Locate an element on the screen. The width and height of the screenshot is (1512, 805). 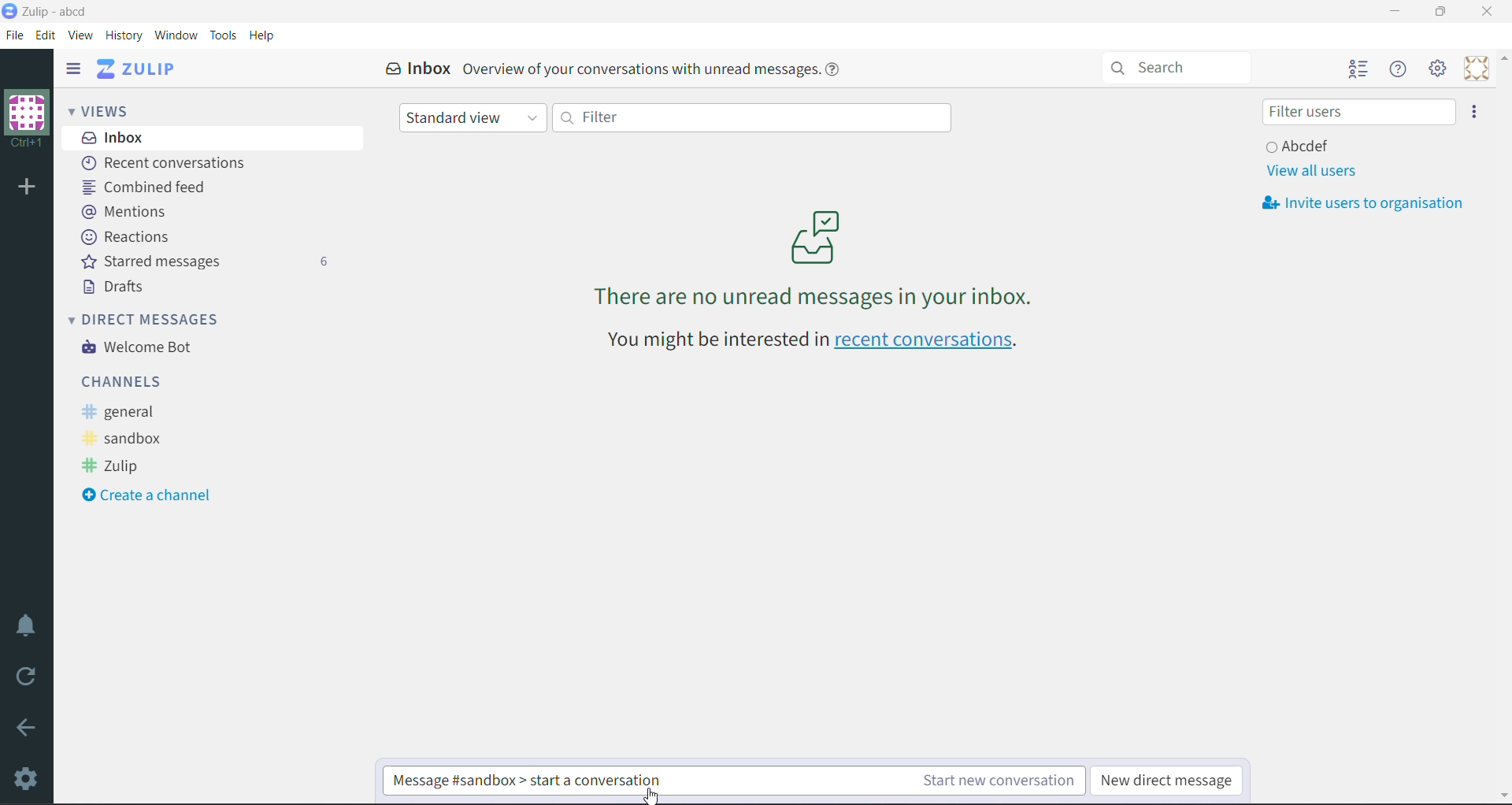
Create a Channel is located at coordinates (153, 496).